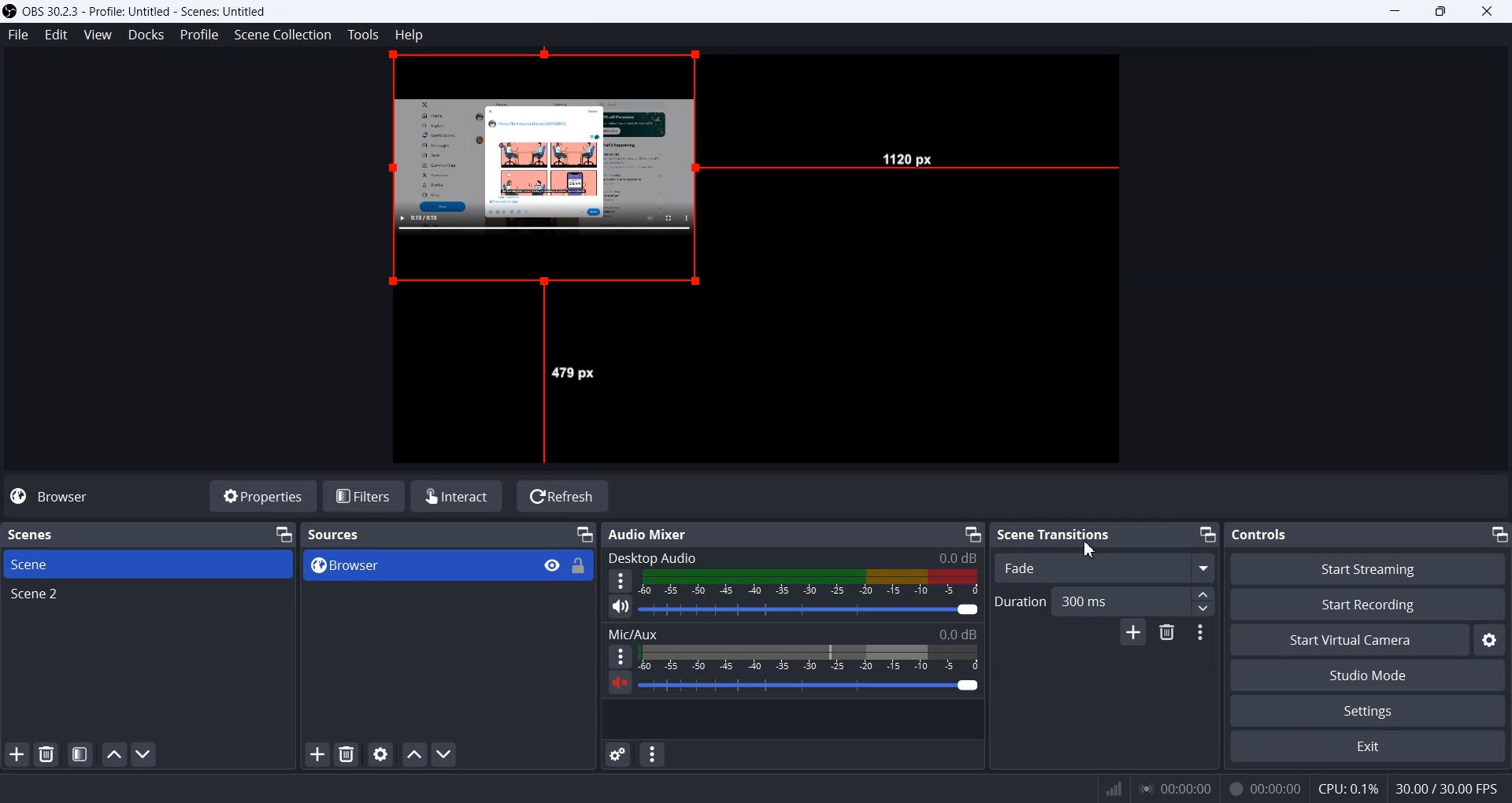 The width and height of the screenshot is (1512, 803). Describe the element at coordinates (148, 596) in the screenshot. I see `Scene 2` at that location.